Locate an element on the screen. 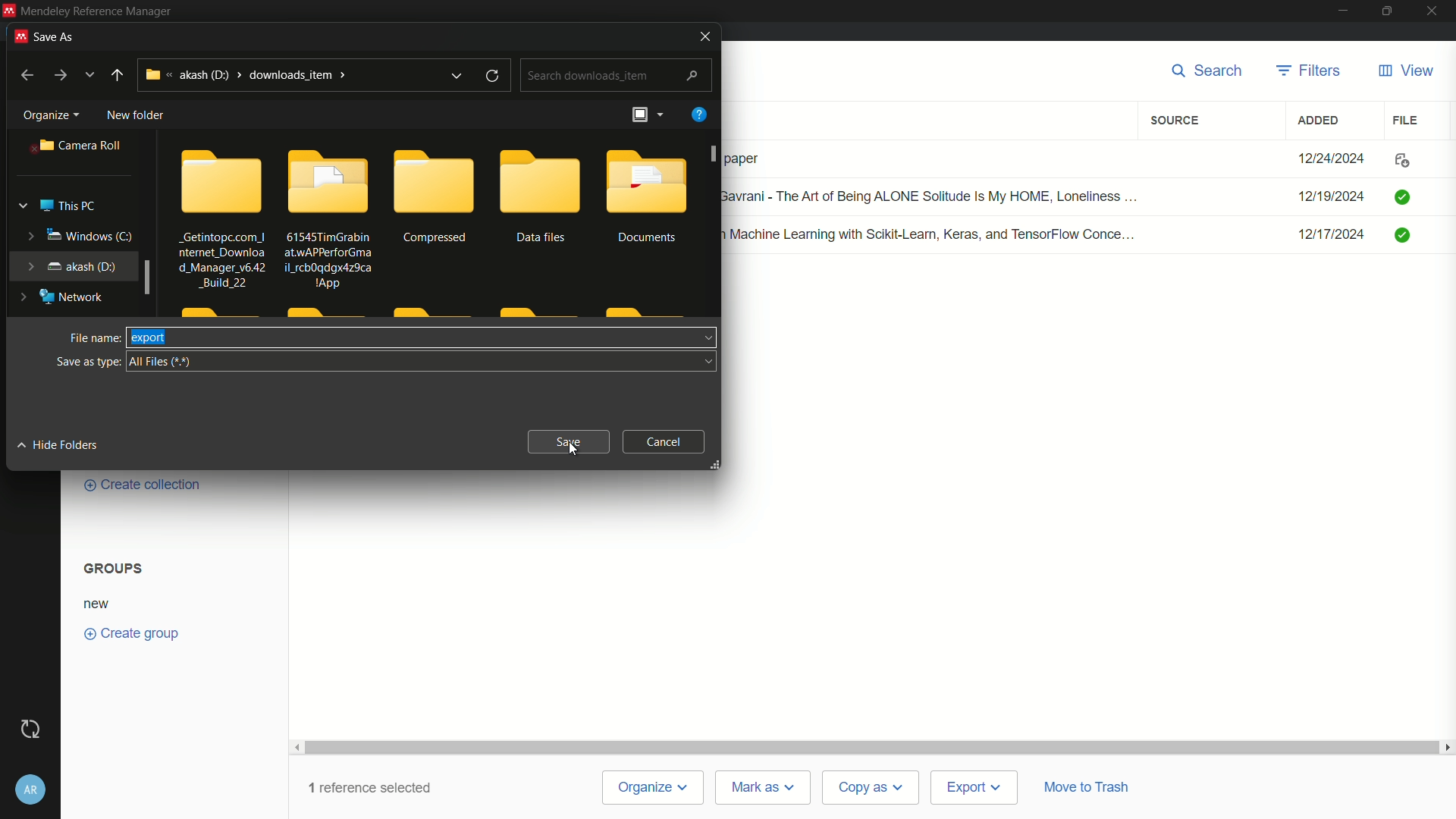  search is located at coordinates (1209, 71).